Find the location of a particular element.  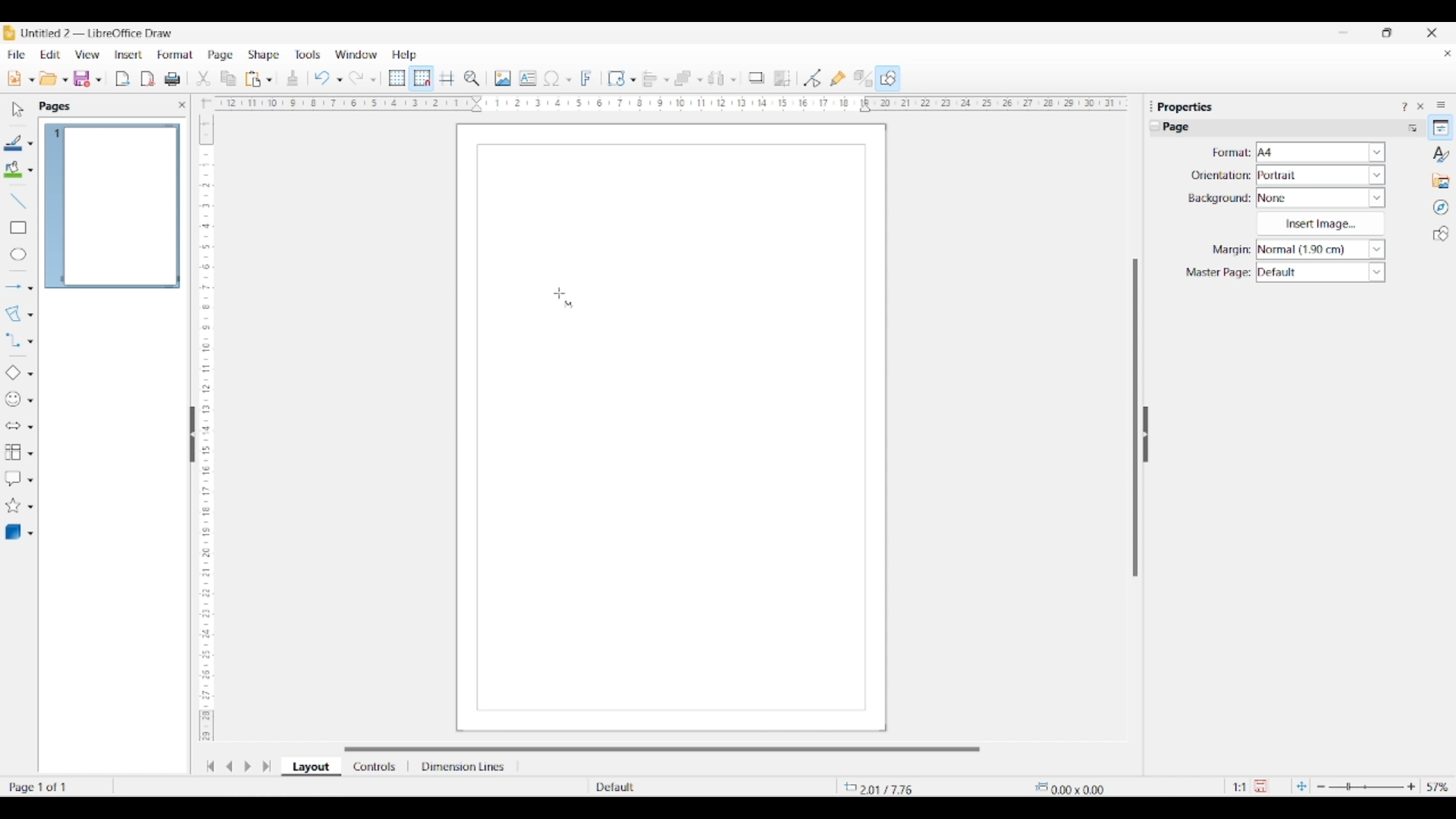

Window is located at coordinates (356, 55).